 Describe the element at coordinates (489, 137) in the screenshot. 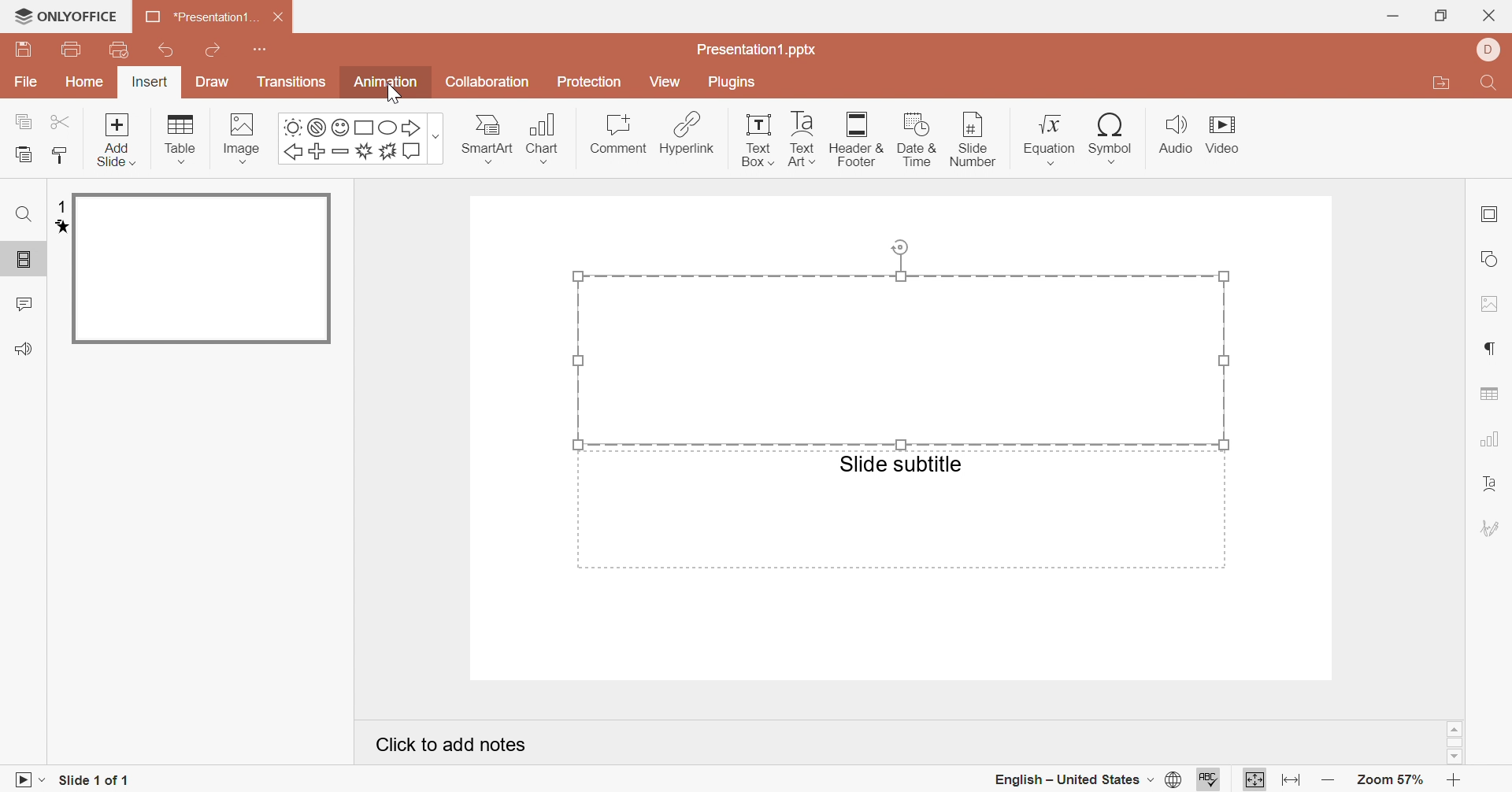

I see `smartart` at that location.